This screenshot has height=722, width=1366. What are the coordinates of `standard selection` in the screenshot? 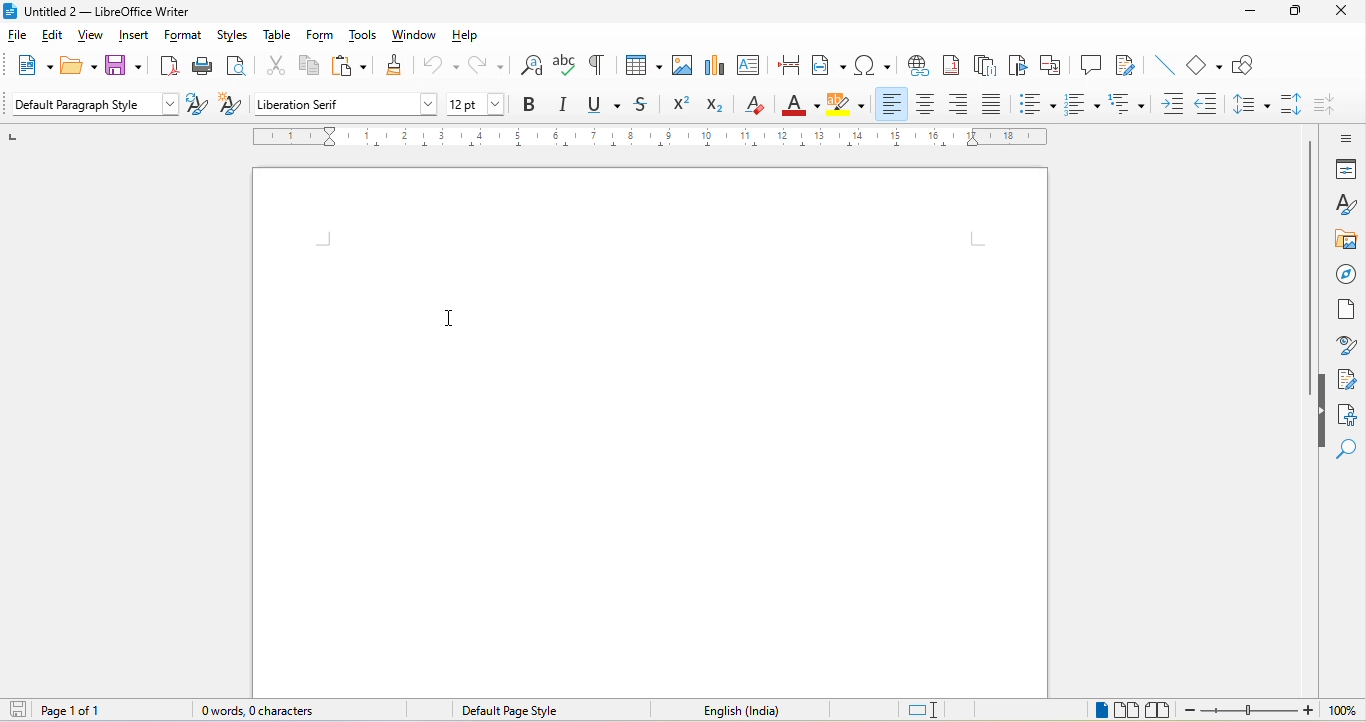 It's located at (930, 709).